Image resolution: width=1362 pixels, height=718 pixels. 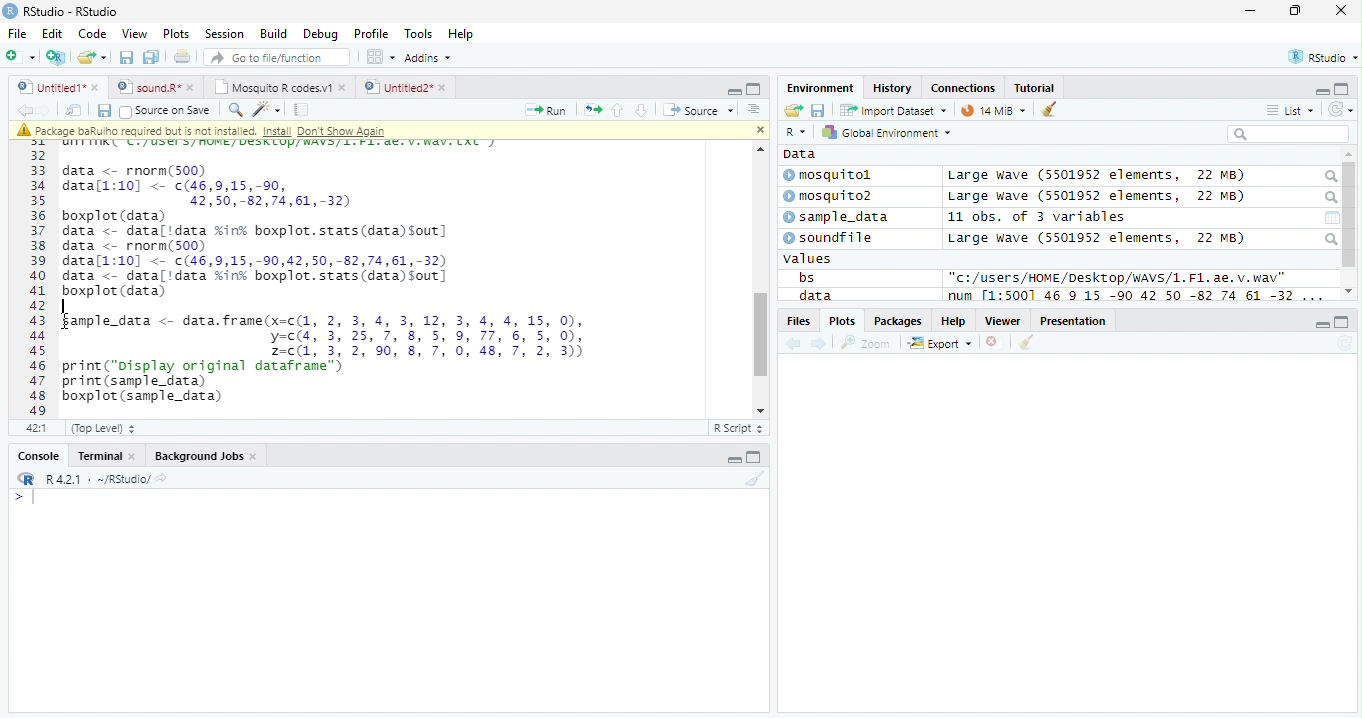 I want to click on List, so click(x=1290, y=110).